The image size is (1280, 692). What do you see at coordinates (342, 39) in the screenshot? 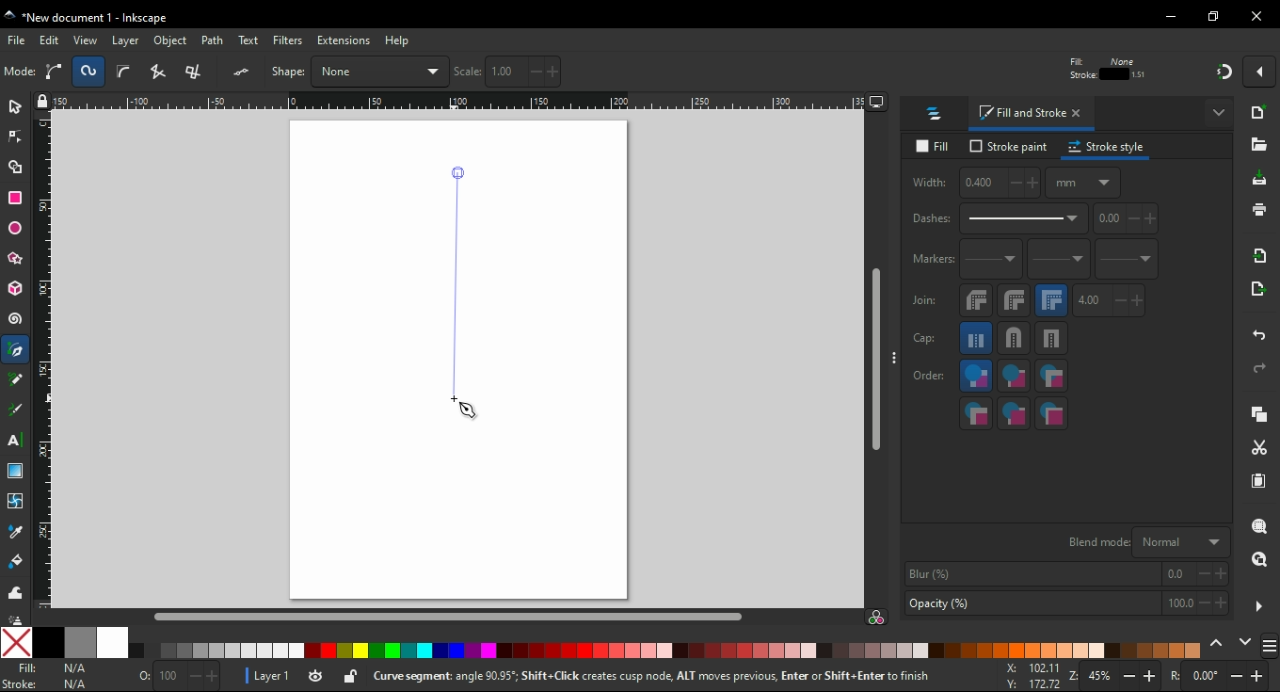
I see `extension` at bounding box center [342, 39].